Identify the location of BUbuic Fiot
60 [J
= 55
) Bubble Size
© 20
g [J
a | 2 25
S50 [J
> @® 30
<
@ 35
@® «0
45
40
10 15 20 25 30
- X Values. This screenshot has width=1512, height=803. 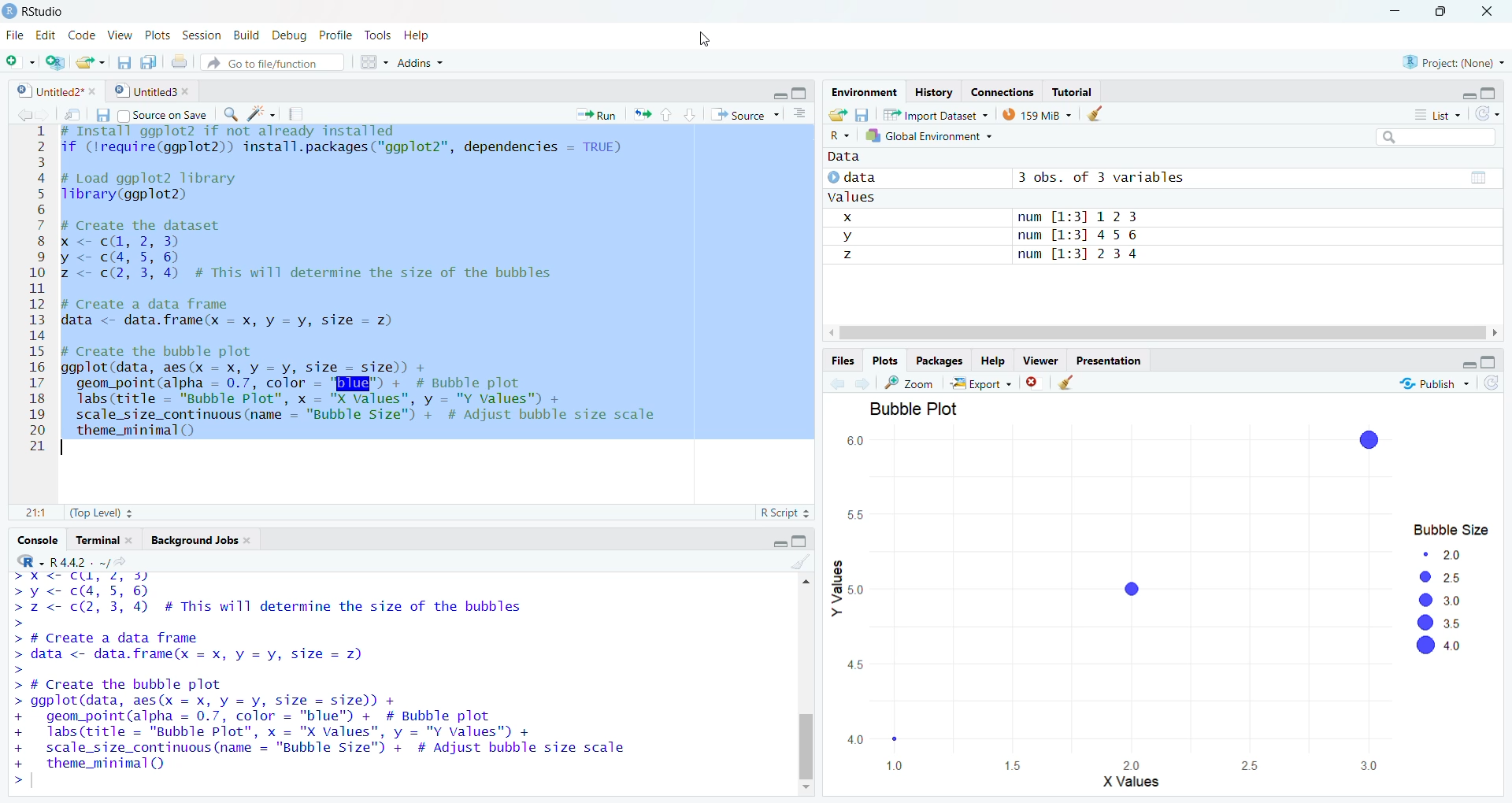
(1168, 597).